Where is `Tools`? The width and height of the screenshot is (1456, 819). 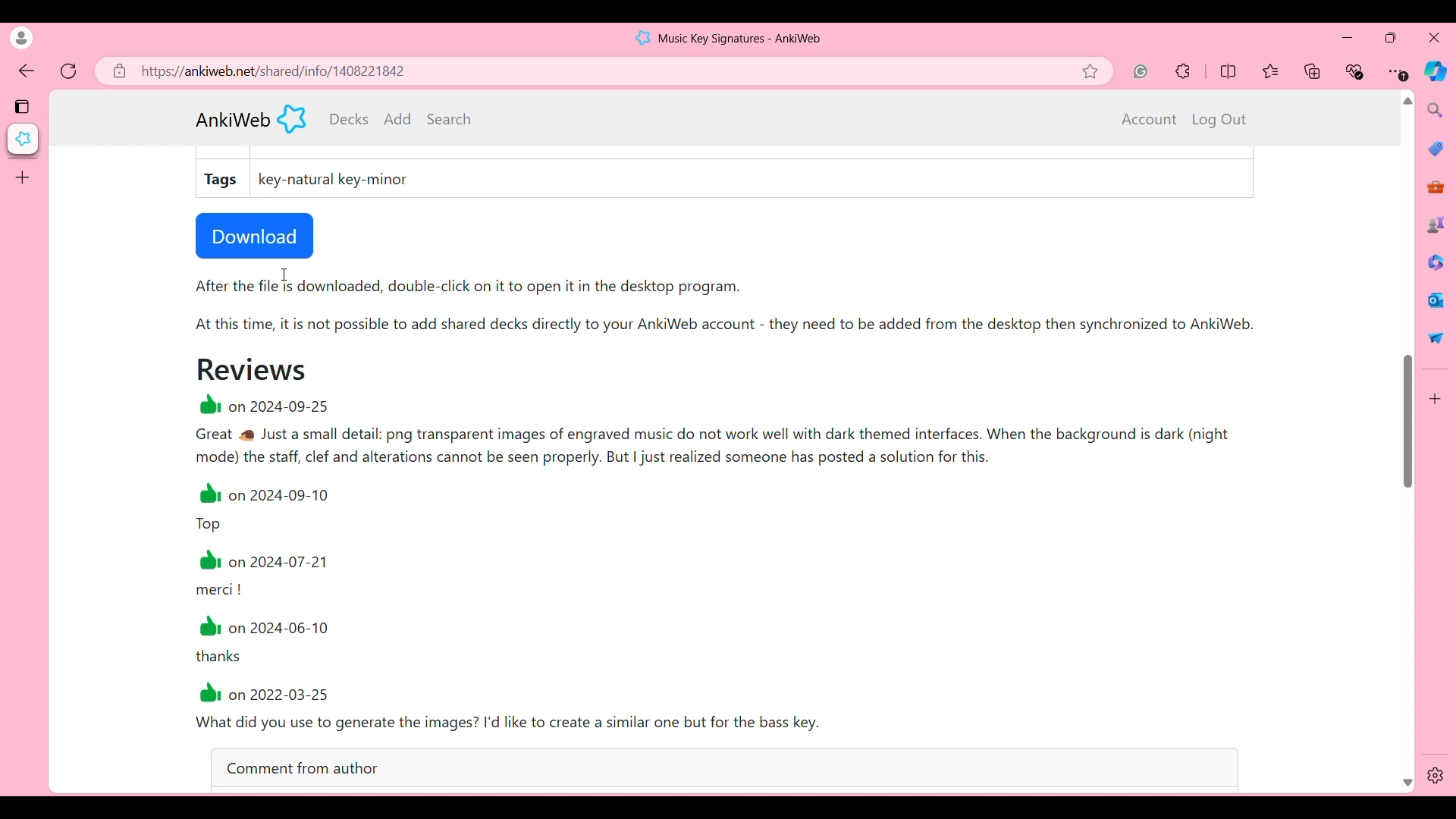
Tools is located at coordinates (1436, 187).